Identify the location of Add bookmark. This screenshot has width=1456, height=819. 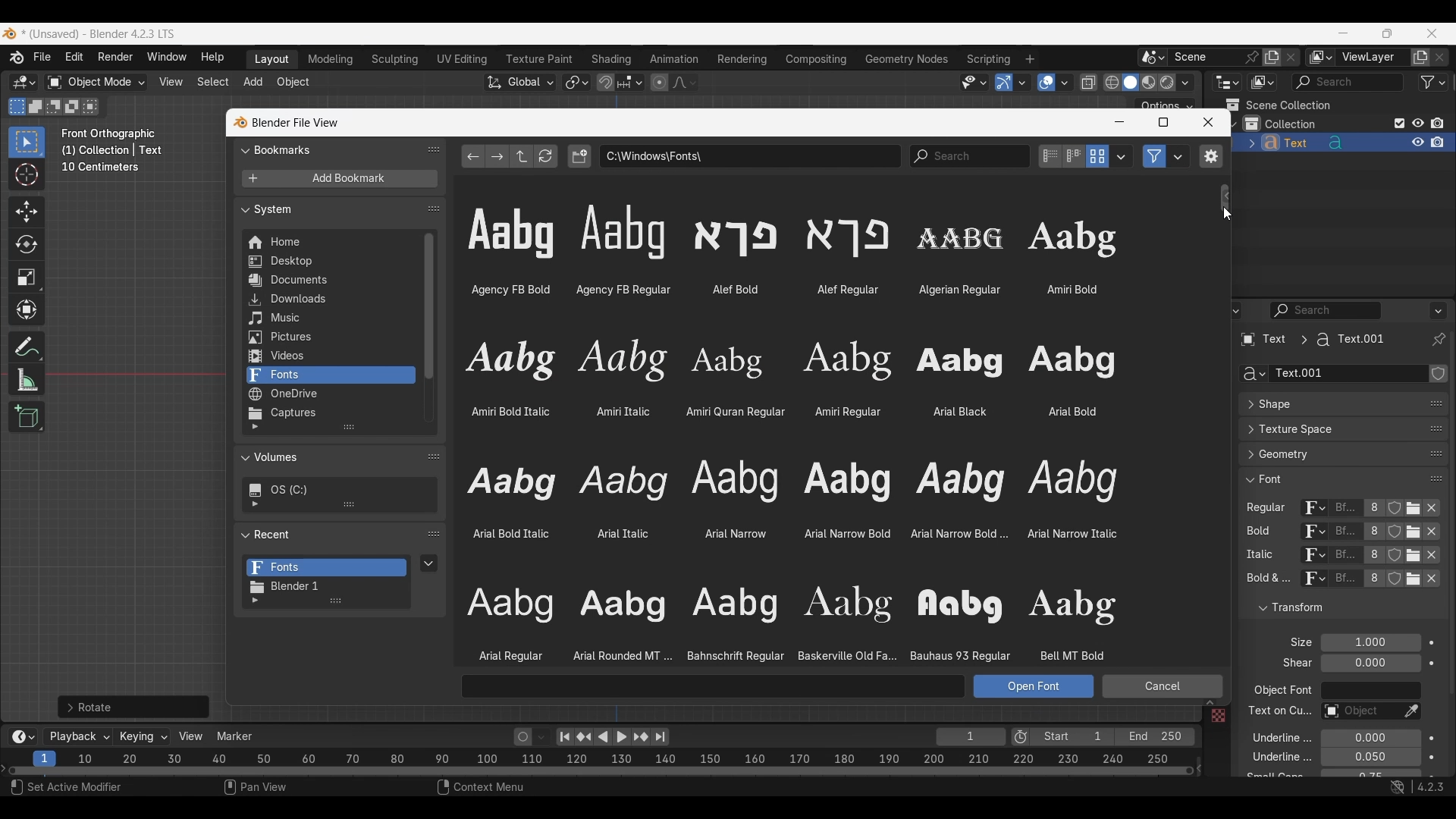
(339, 179).